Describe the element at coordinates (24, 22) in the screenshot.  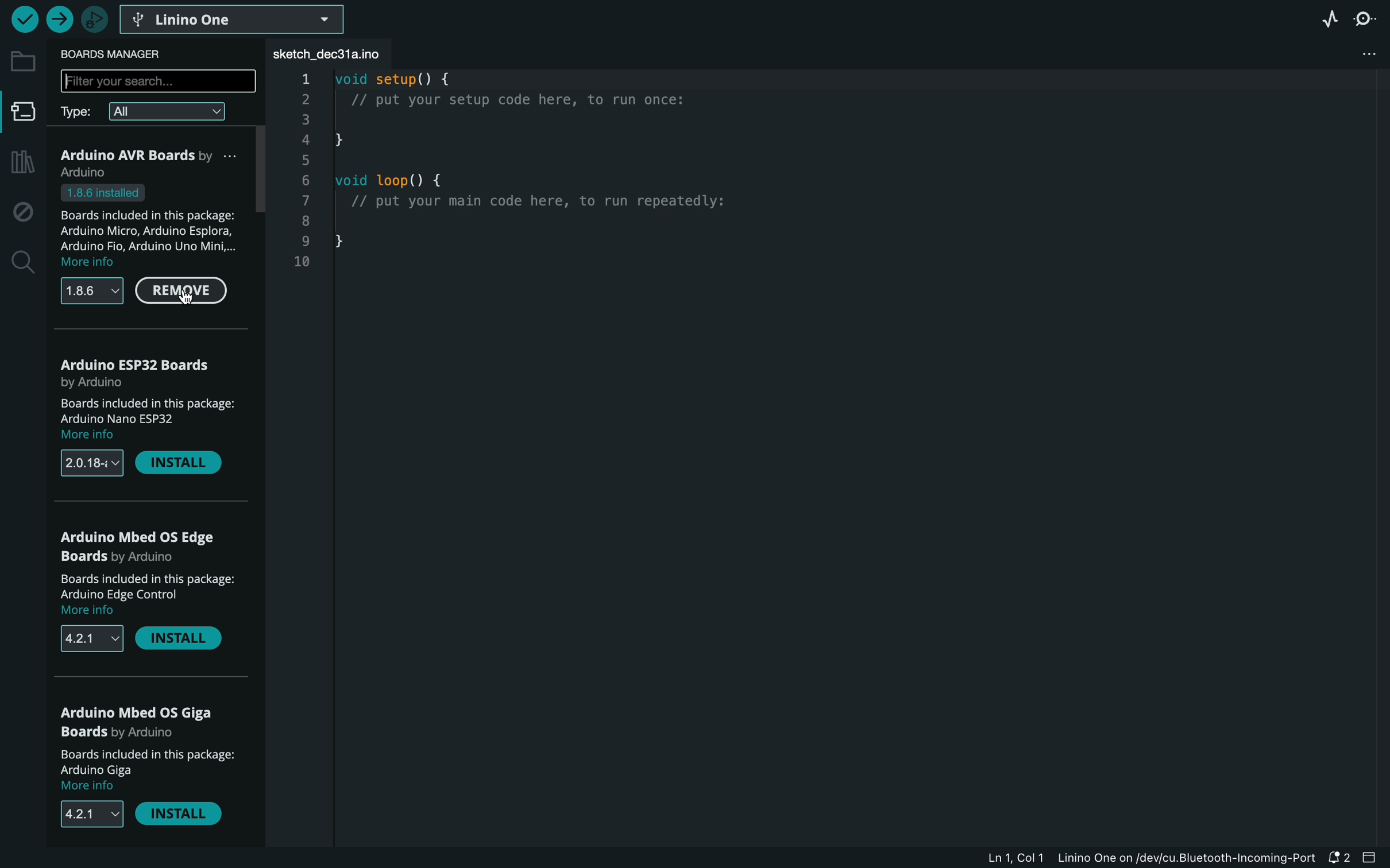
I see `verify` at that location.